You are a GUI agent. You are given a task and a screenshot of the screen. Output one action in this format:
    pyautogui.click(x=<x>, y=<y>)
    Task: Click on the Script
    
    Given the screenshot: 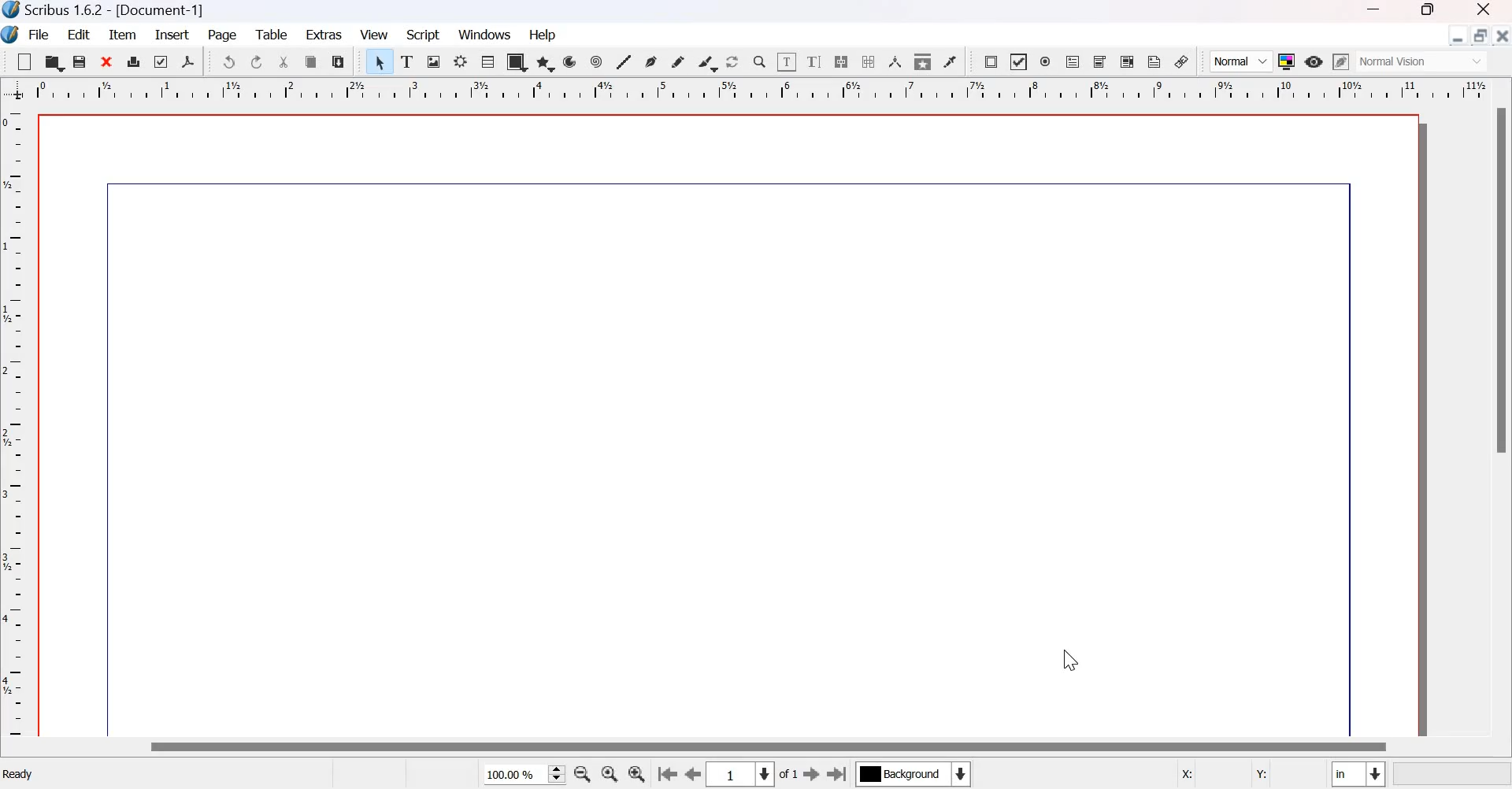 What is the action you would take?
    pyautogui.click(x=423, y=35)
    